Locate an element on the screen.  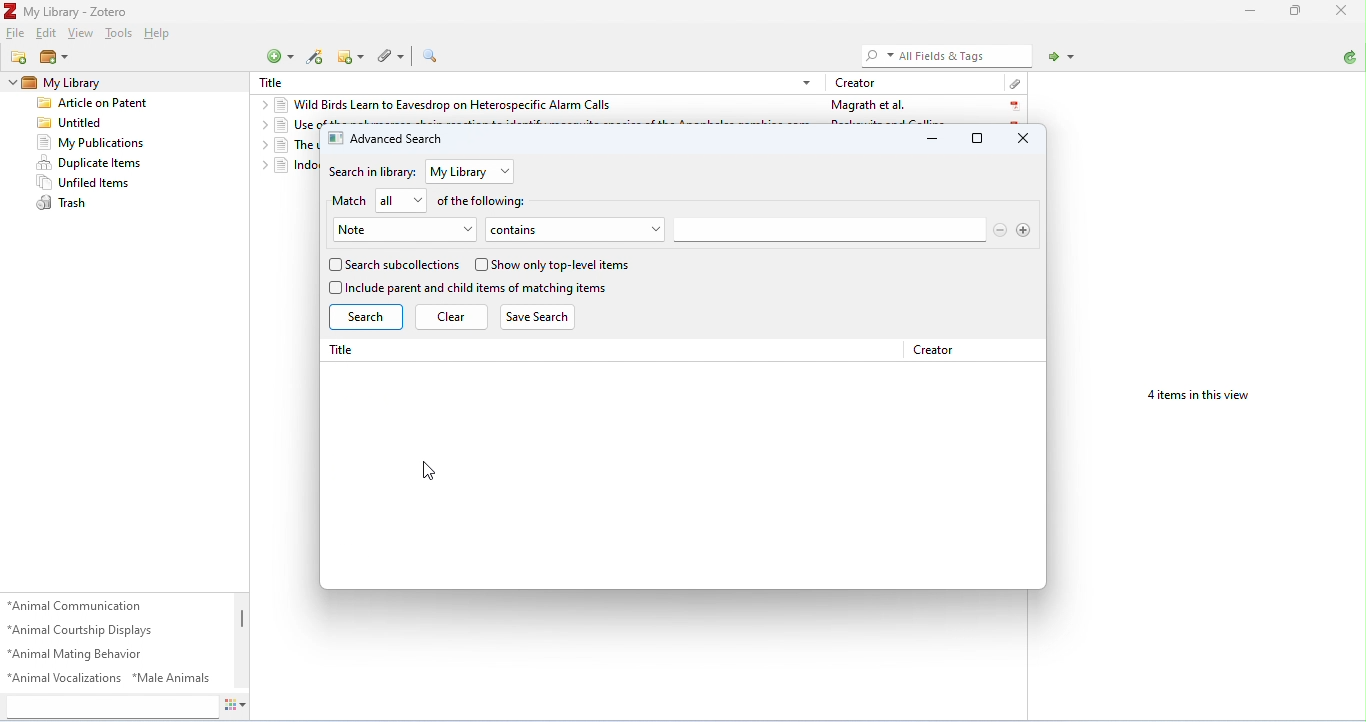
trash is located at coordinates (63, 204).